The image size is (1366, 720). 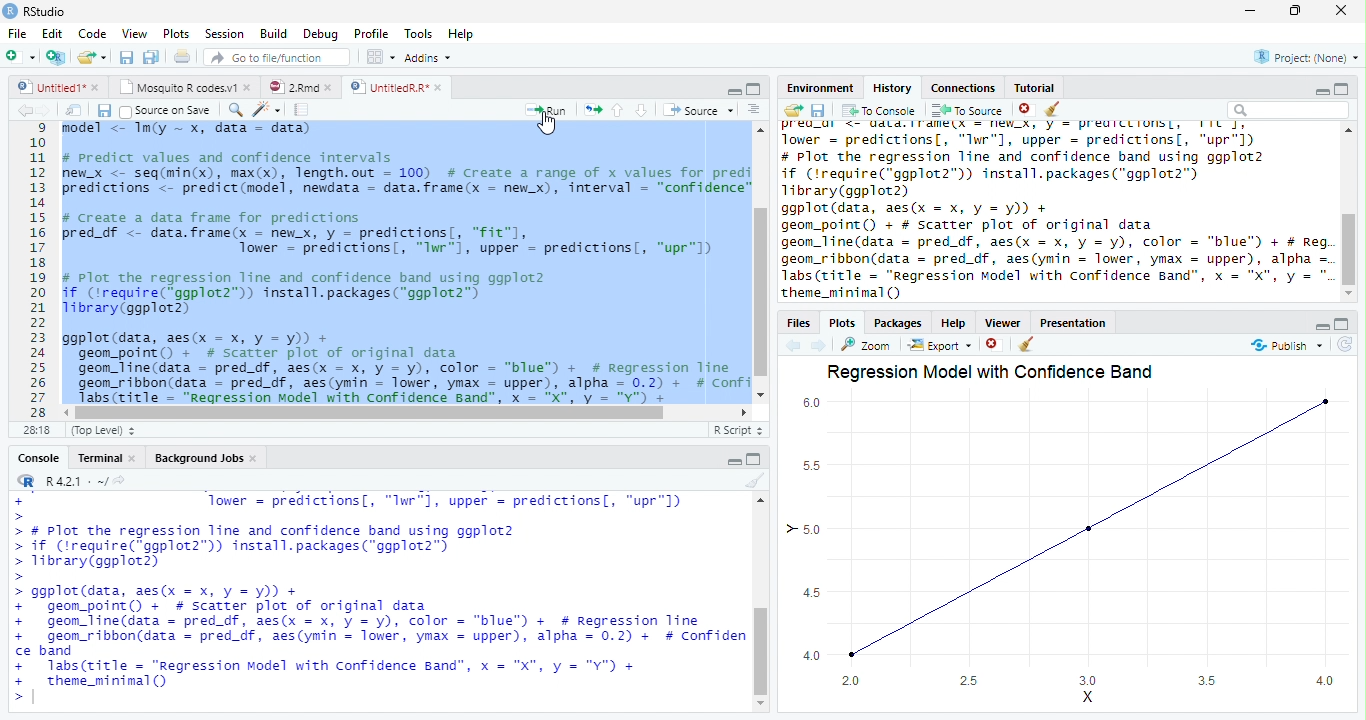 What do you see at coordinates (108, 455) in the screenshot?
I see `Terminal` at bounding box center [108, 455].